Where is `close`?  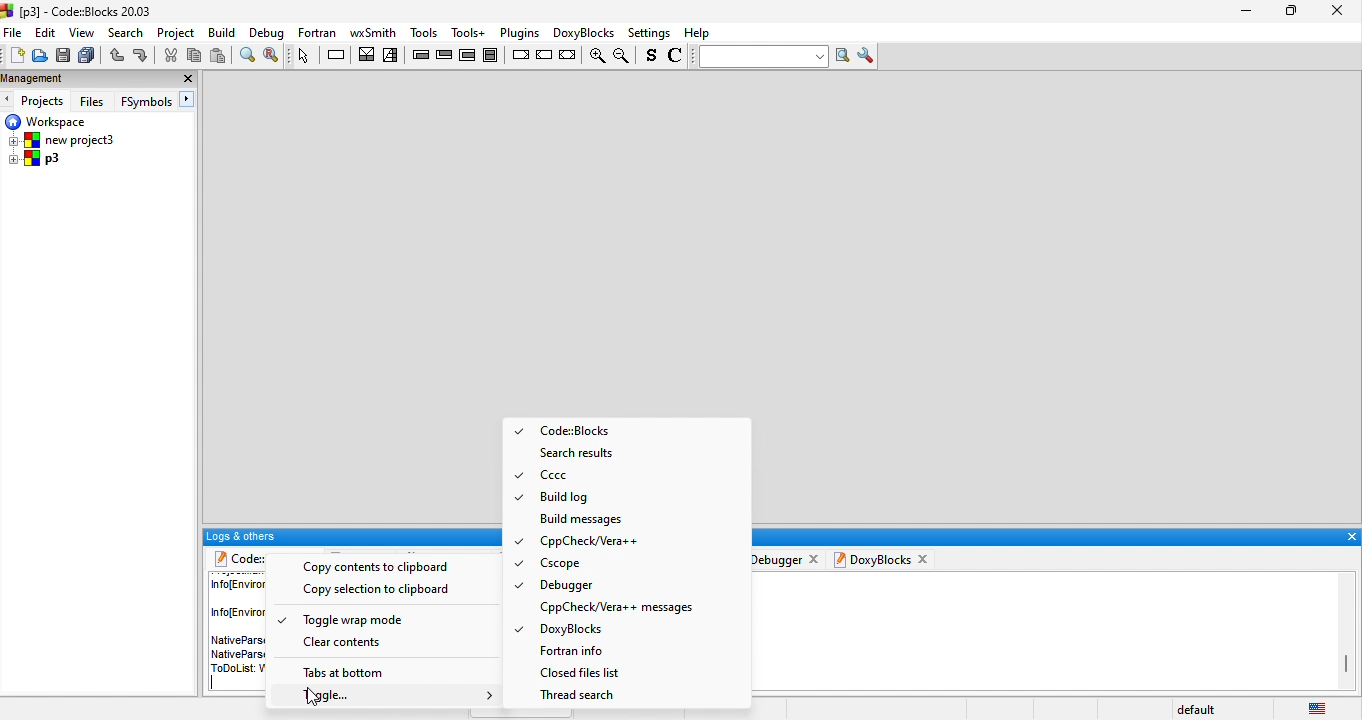 close is located at coordinates (926, 559).